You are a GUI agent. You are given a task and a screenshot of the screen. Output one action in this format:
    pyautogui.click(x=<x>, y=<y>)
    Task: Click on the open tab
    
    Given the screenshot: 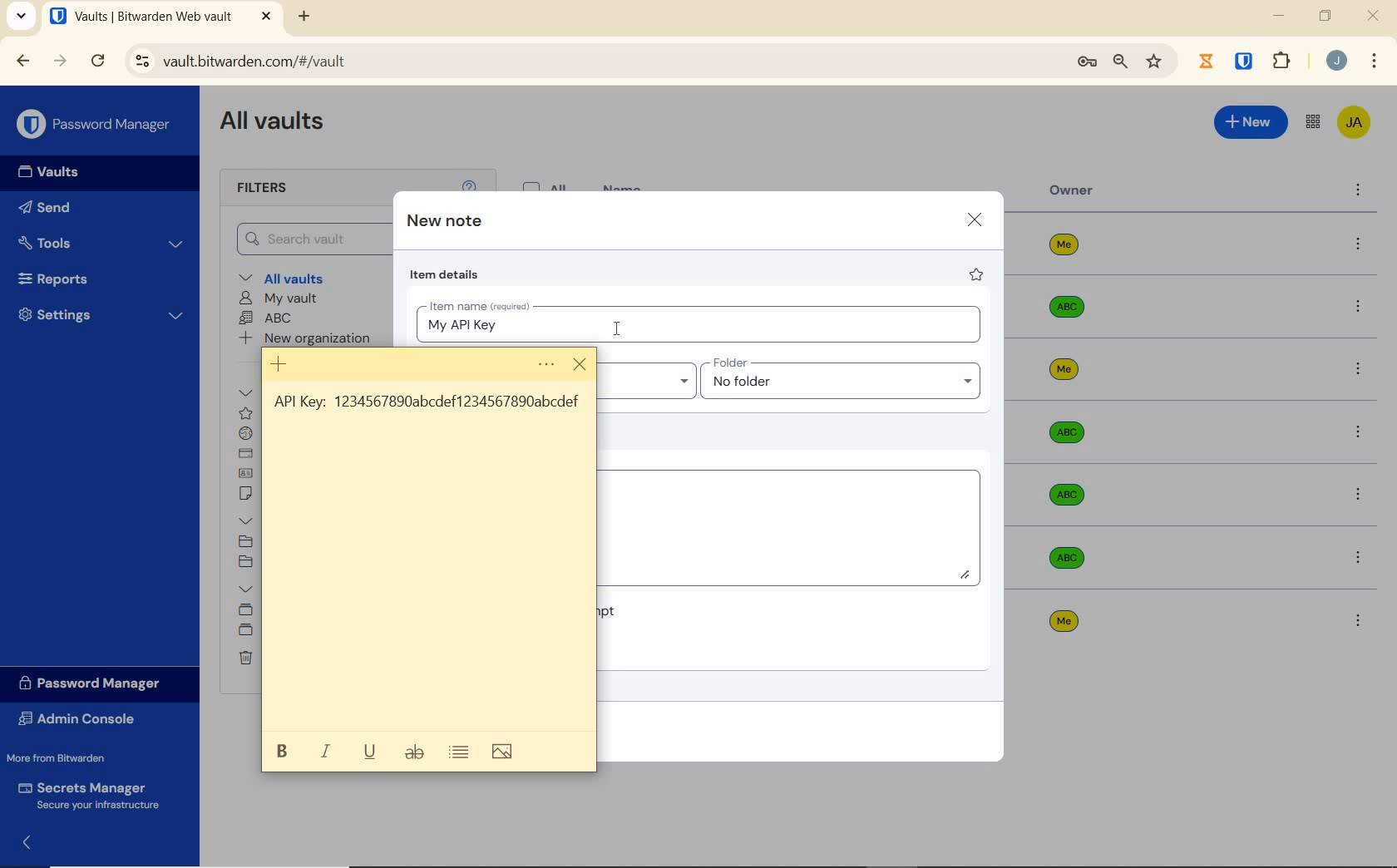 What is the action you would take?
    pyautogui.click(x=141, y=17)
    